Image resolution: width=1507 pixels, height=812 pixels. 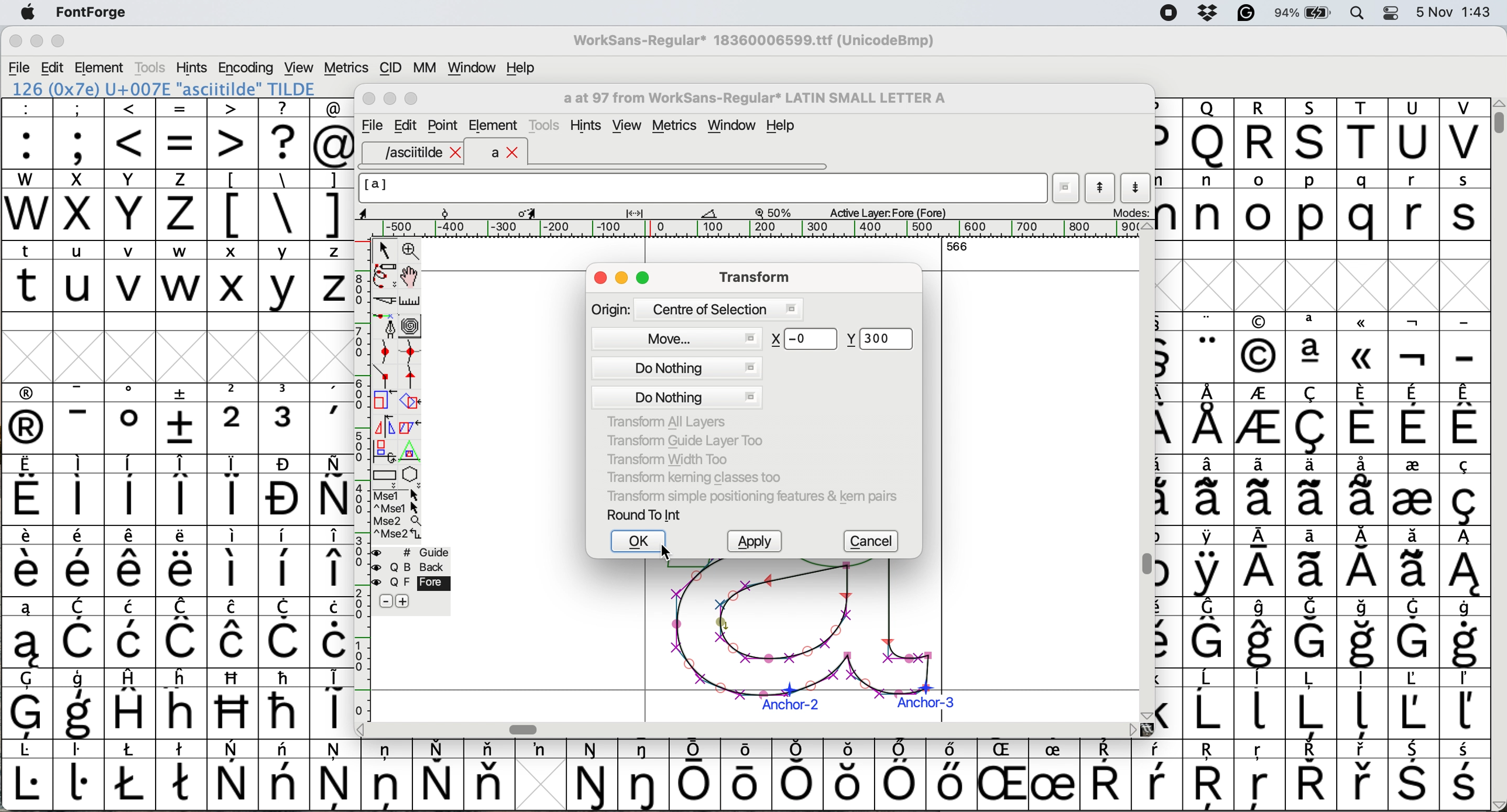 I want to click on tools, so click(x=149, y=67).